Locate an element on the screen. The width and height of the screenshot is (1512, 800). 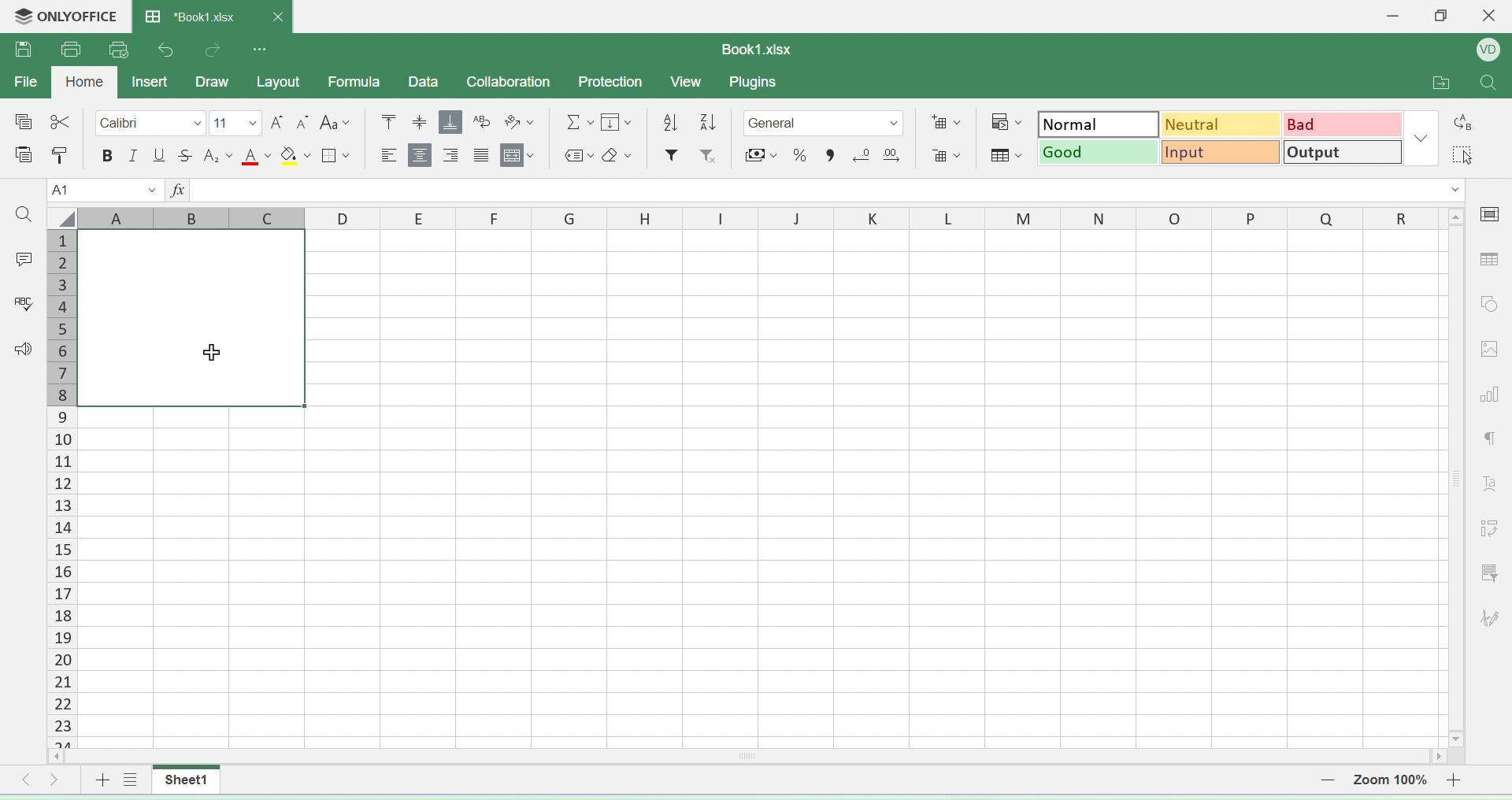
scroll bar is located at coordinates (1456, 473).